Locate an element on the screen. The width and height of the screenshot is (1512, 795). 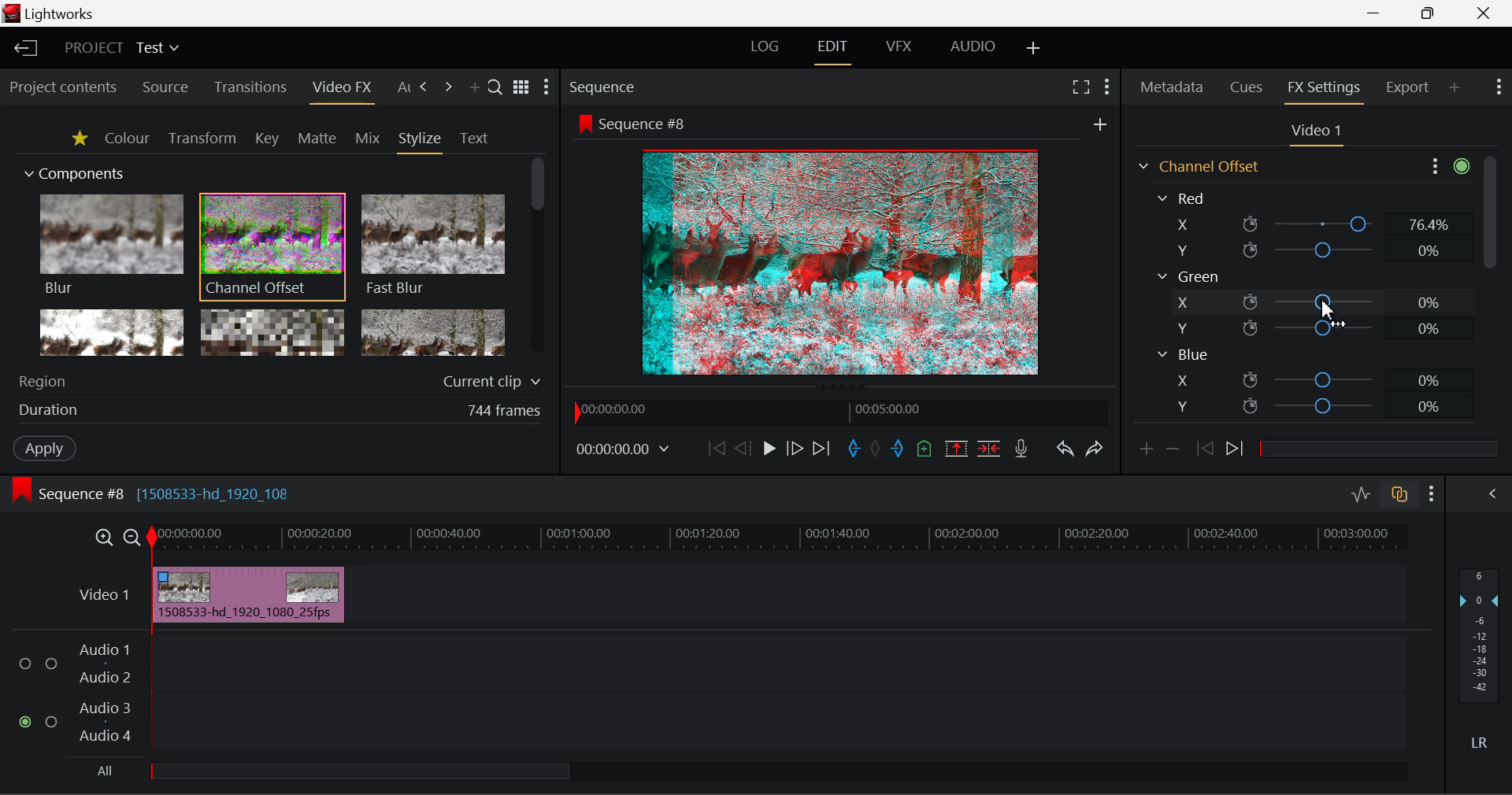
Blue Y is located at coordinates (1313, 405).